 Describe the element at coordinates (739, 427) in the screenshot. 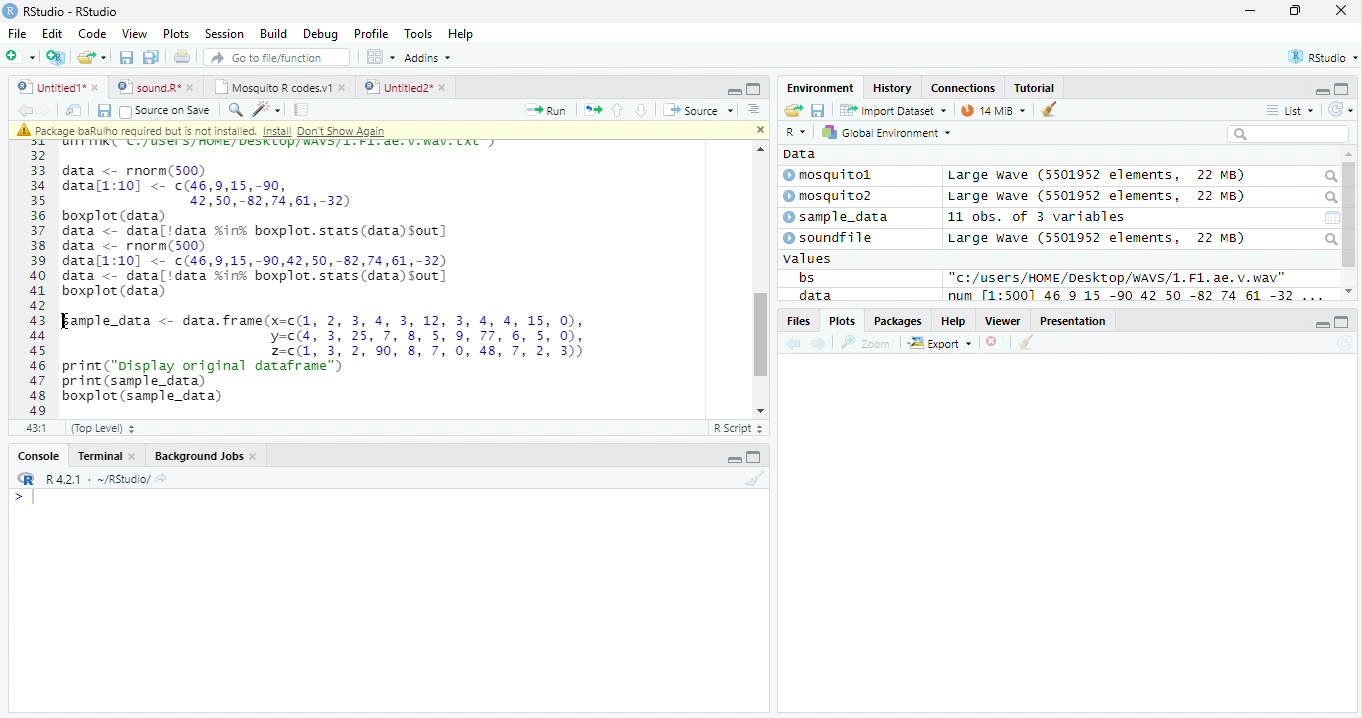

I see `R Script` at that location.